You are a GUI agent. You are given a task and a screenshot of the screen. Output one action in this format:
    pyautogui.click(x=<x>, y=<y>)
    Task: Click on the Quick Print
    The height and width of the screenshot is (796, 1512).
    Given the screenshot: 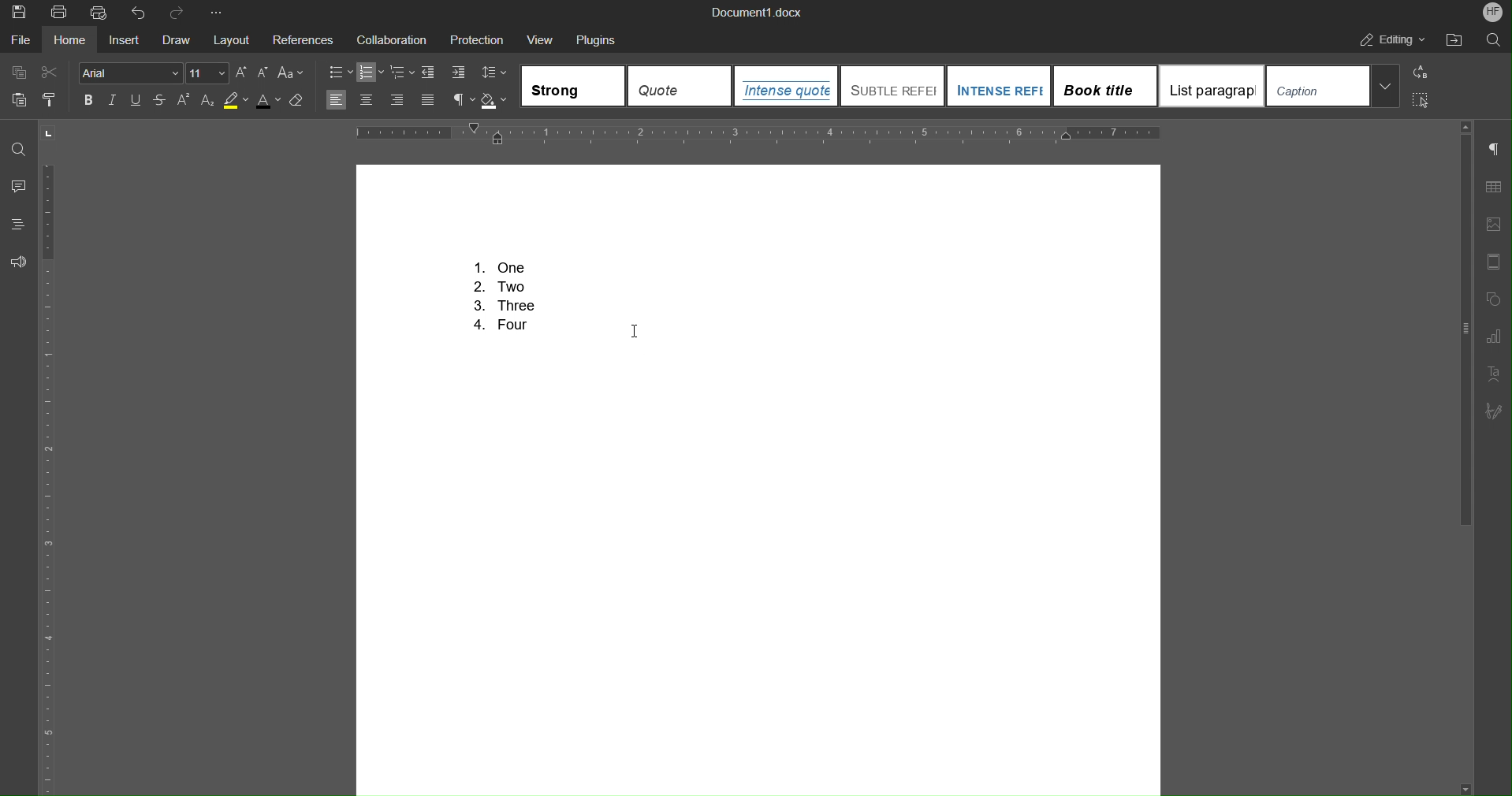 What is the action you would take?
    pyautogui.click(x=101, y=11)
    